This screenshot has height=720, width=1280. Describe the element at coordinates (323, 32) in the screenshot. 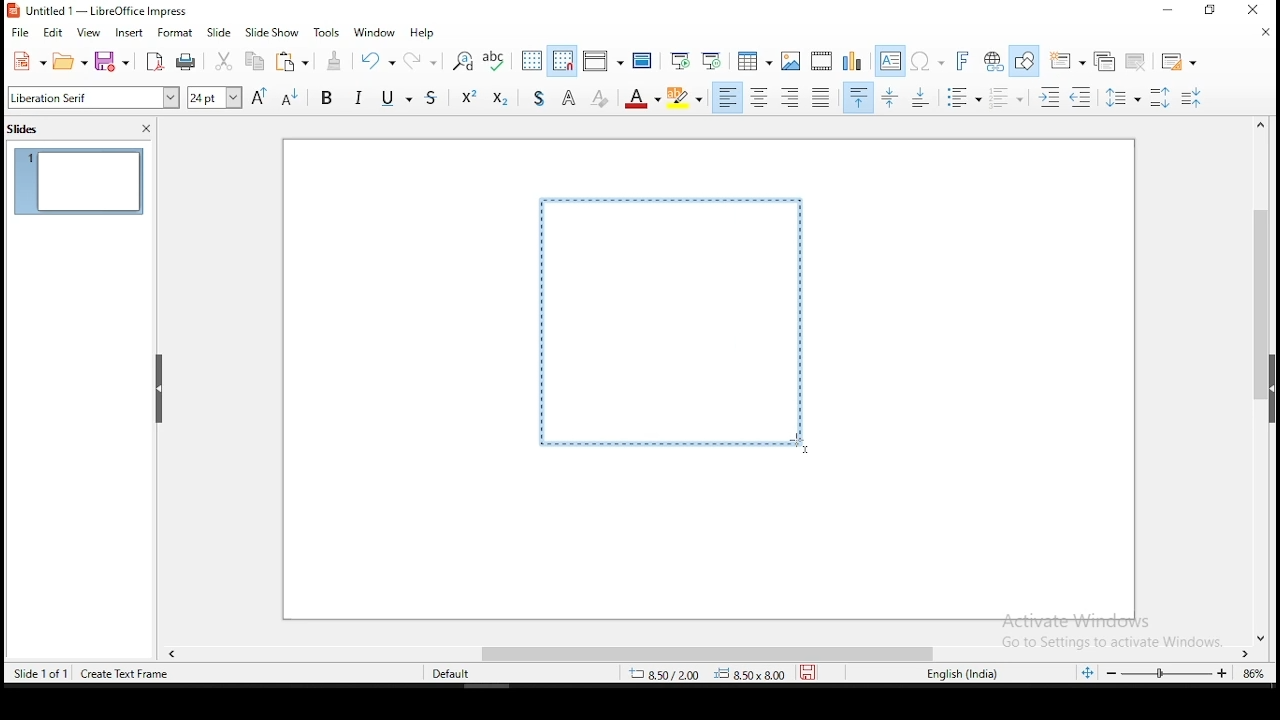

I see `tools` at that location.